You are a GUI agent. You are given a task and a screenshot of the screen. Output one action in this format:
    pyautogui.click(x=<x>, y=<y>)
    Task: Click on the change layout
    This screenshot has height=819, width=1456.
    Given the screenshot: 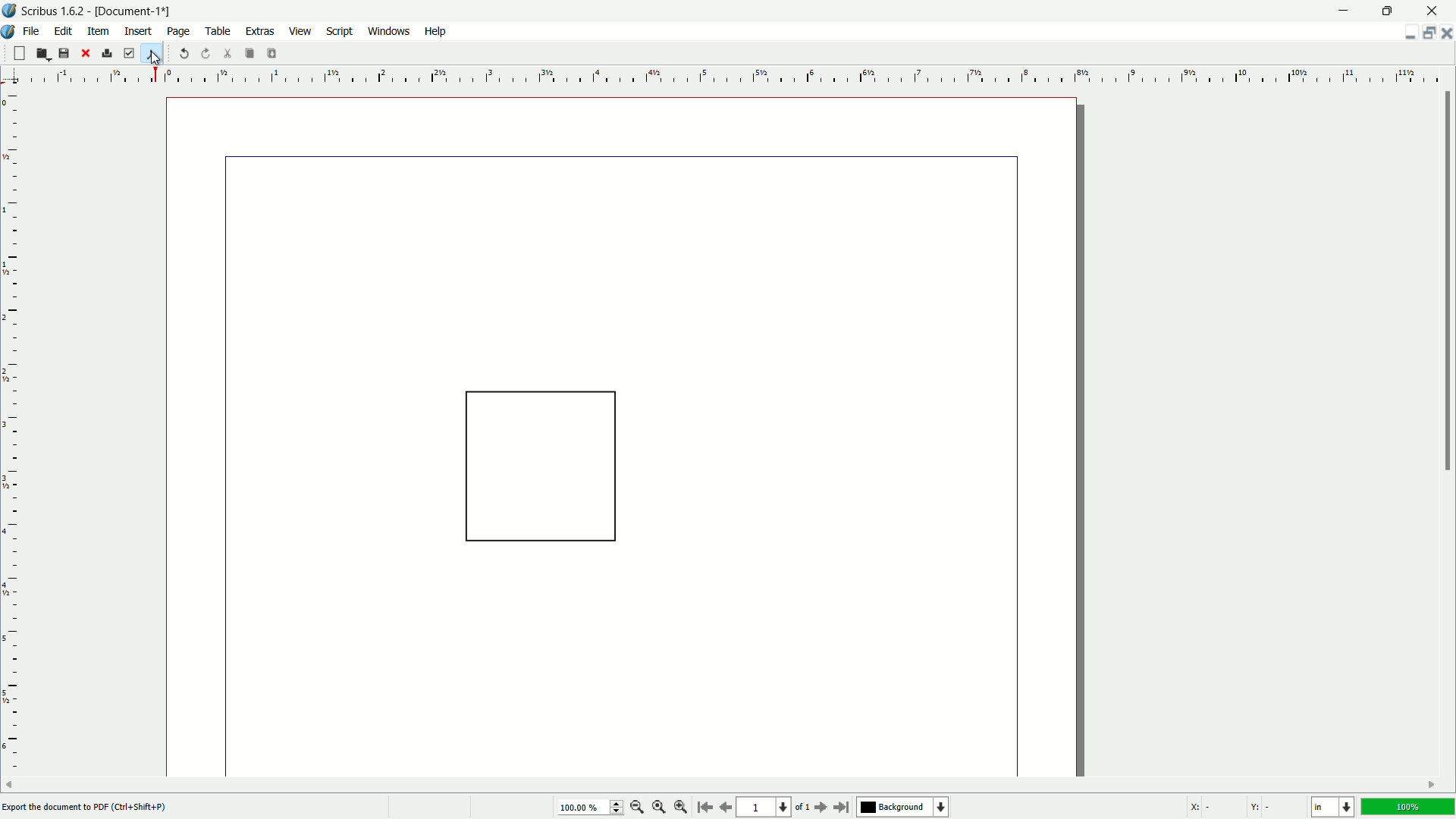 What is the action you would take?
    pyautogui.click(x=1426, y=33)
    